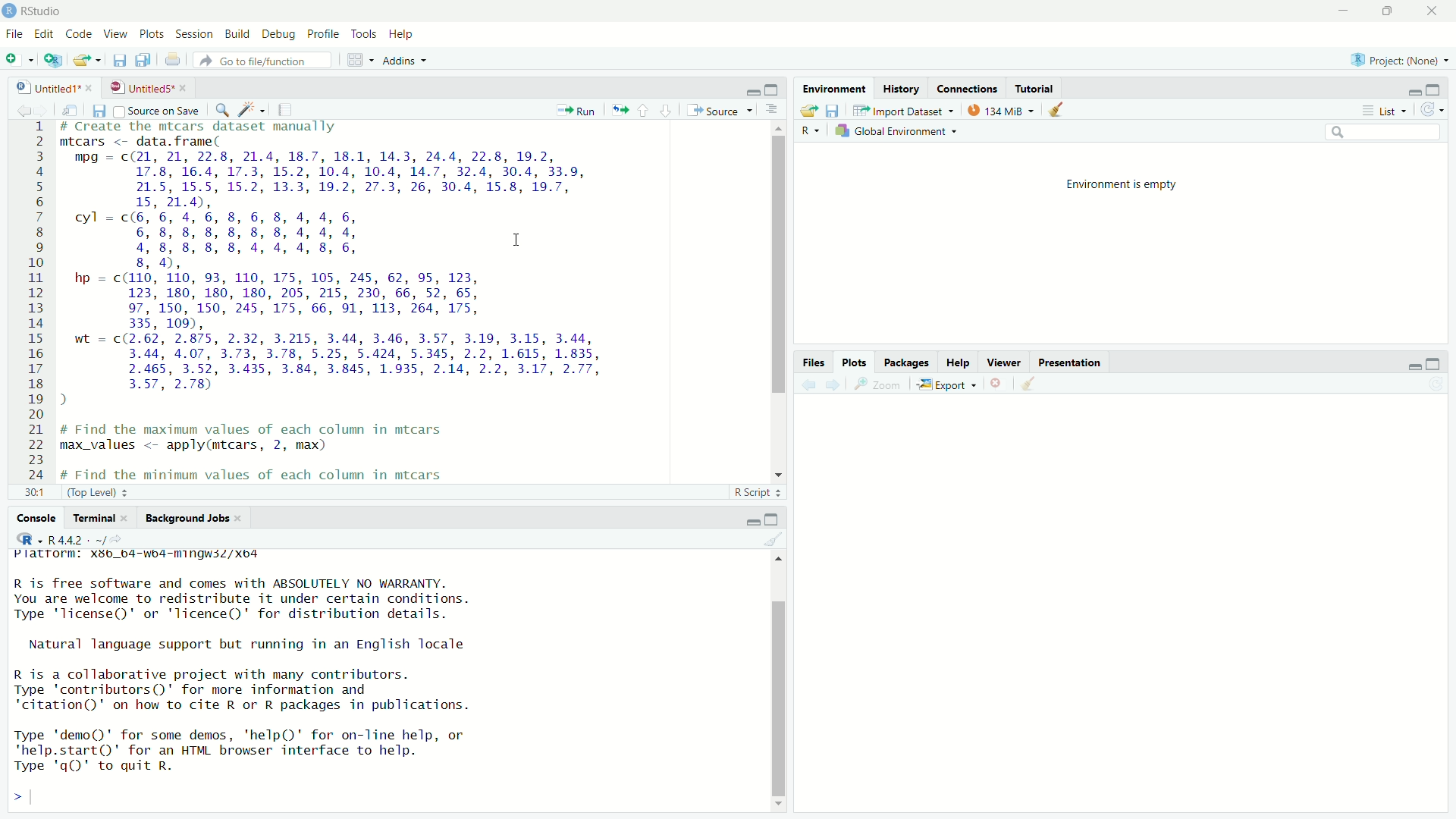 This screenshot has width=1456, height=819. What do you see at coordinates (771, 541) in the screenshot?
I see `clear` at bounding box center [771, 541].